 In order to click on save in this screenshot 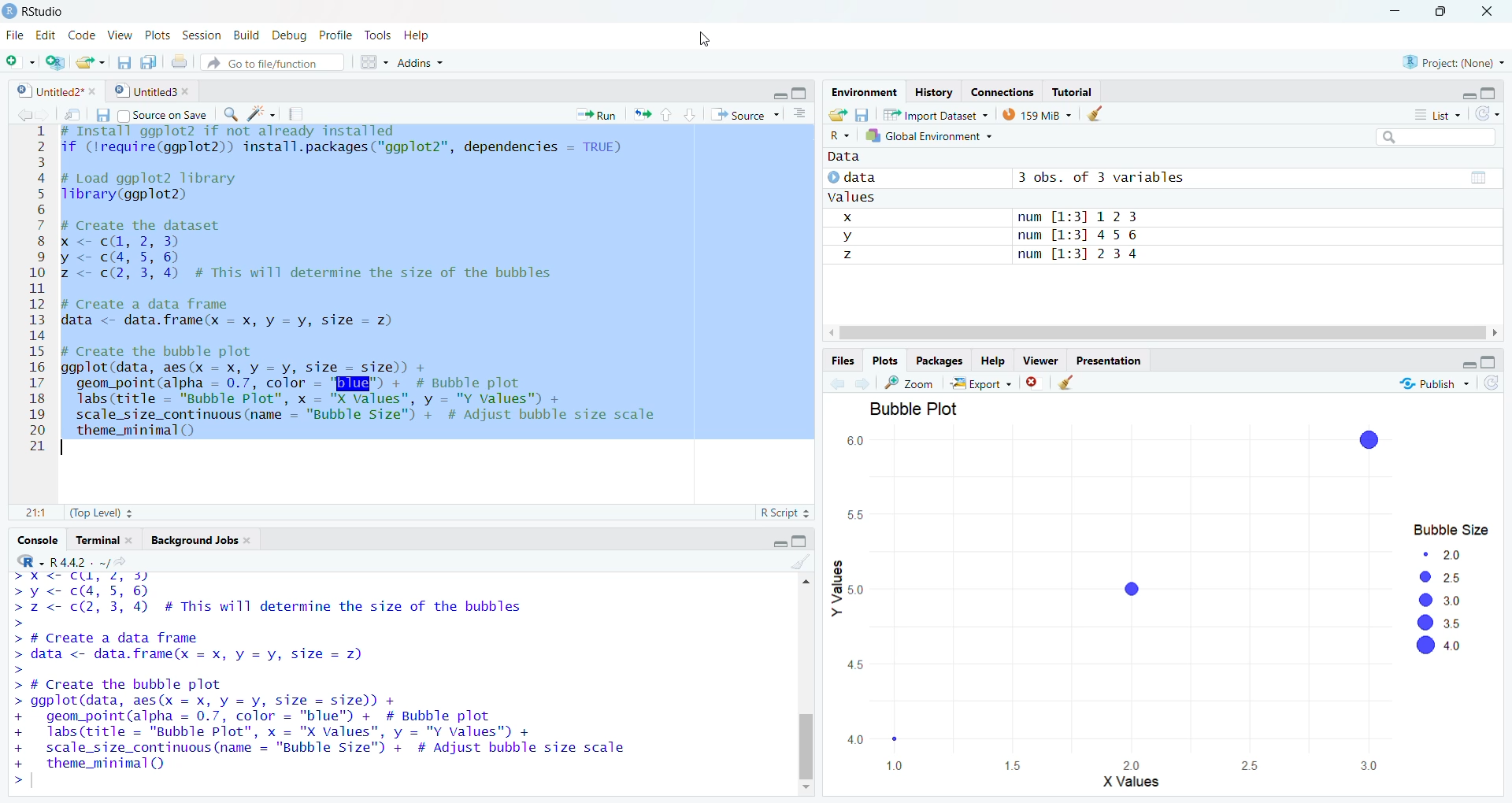, I will do `click(98, 115)`.